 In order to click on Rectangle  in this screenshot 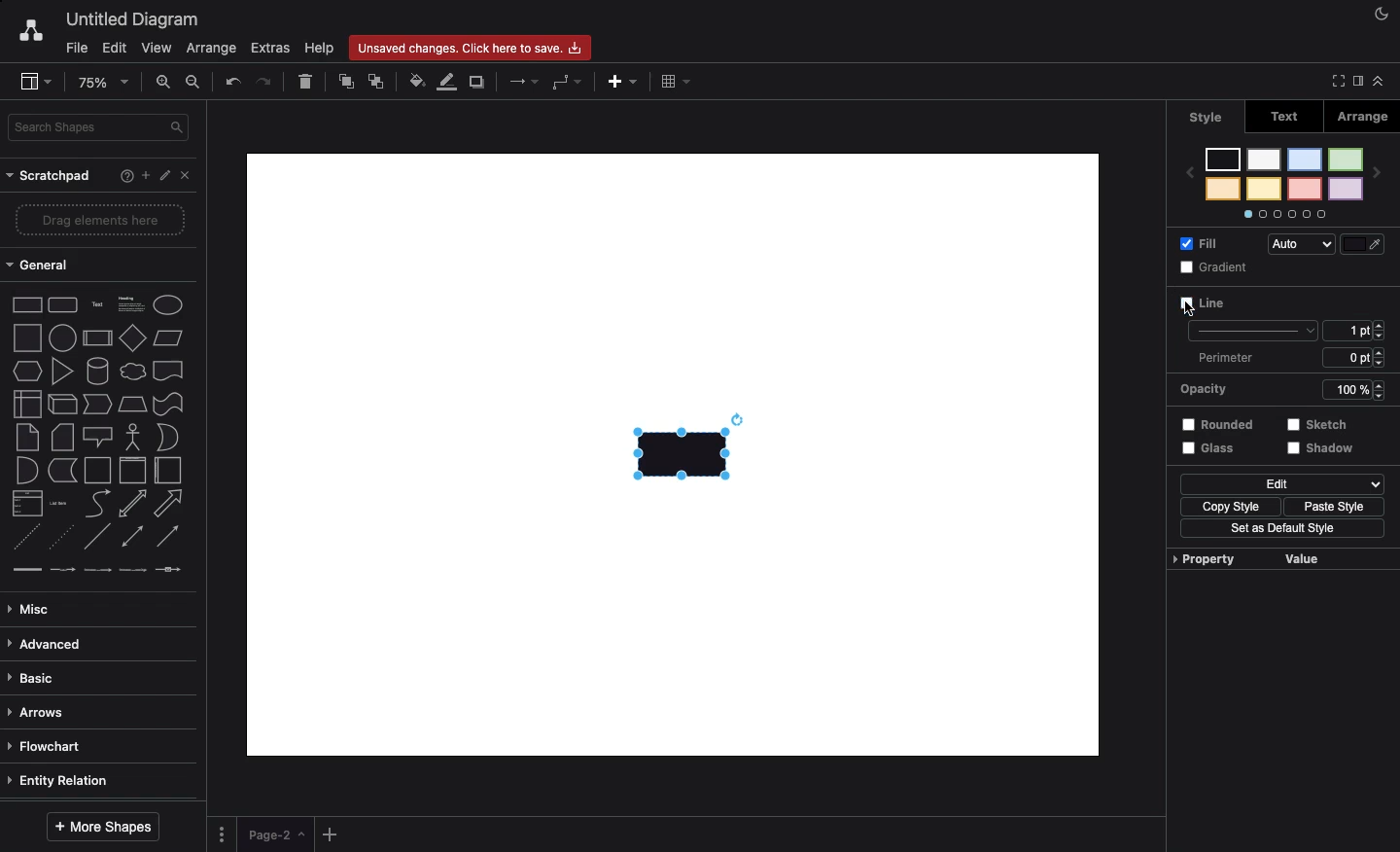, I will do `click(27, 306)`.